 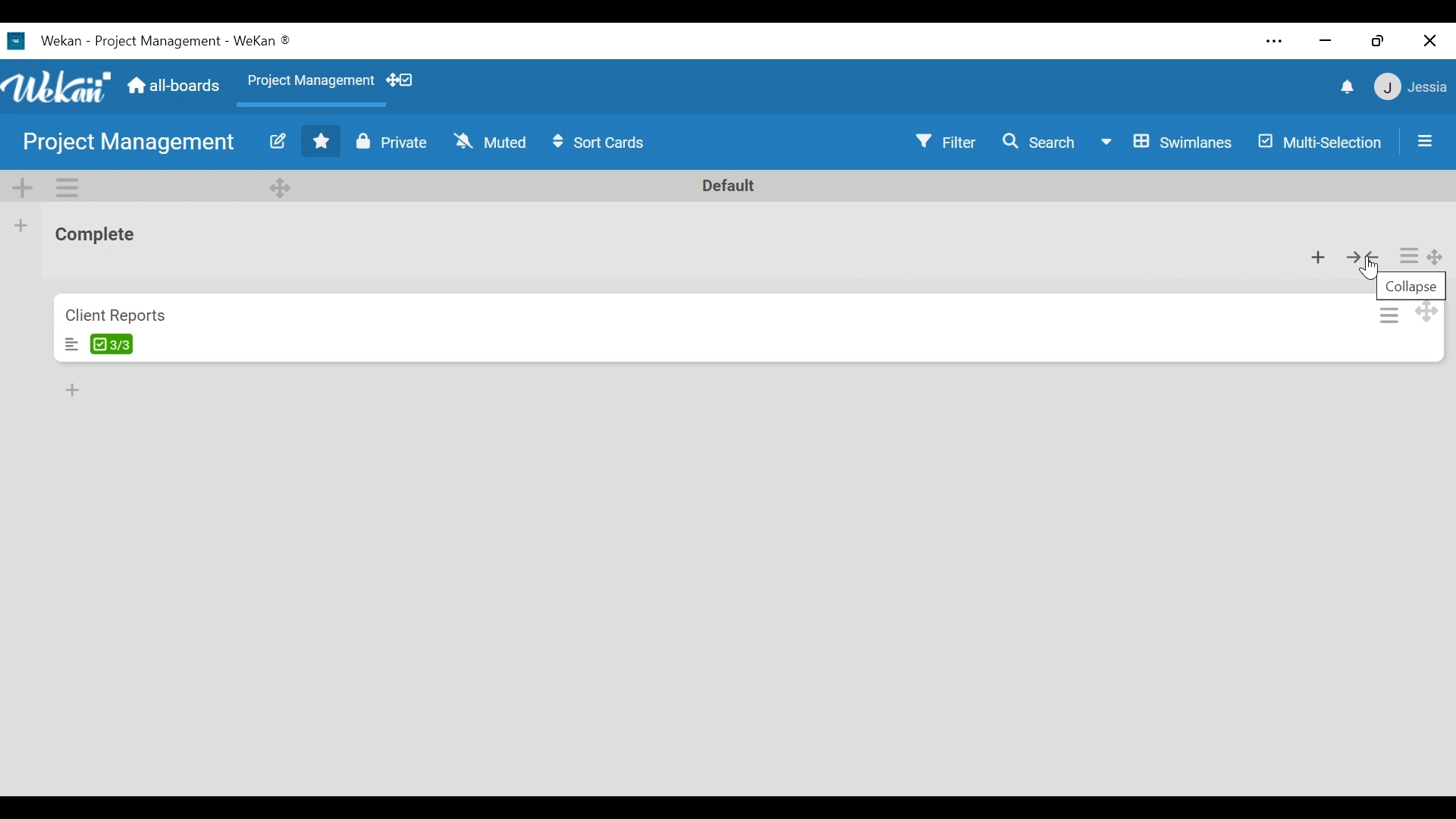 What do you see at coordinates (1389, 315) in the screenshot?
I see `Card actions` at bounding box center [1389, 315].